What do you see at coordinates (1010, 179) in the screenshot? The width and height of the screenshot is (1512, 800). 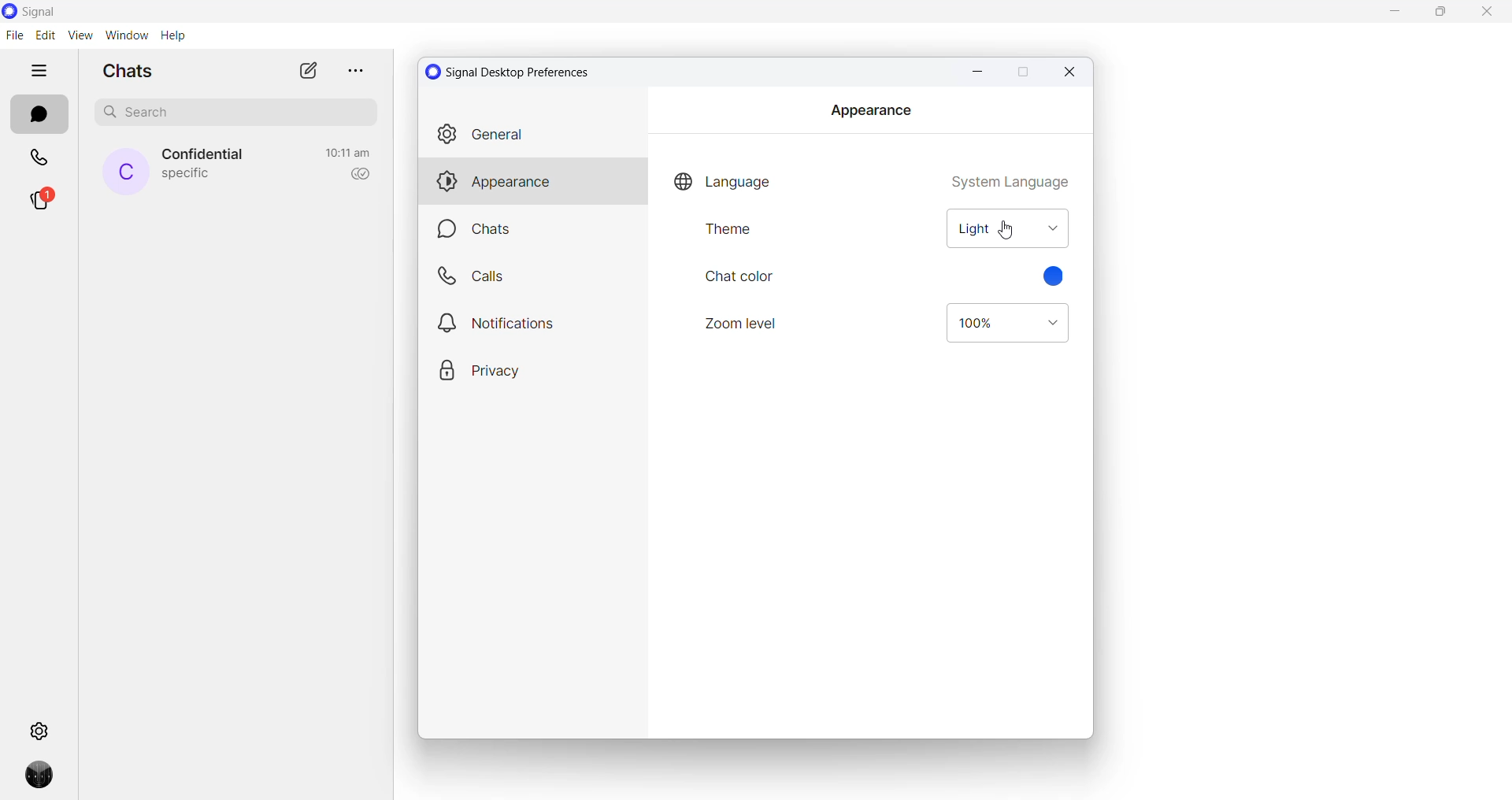 I see `system language` at bounding box center [1010, 179].